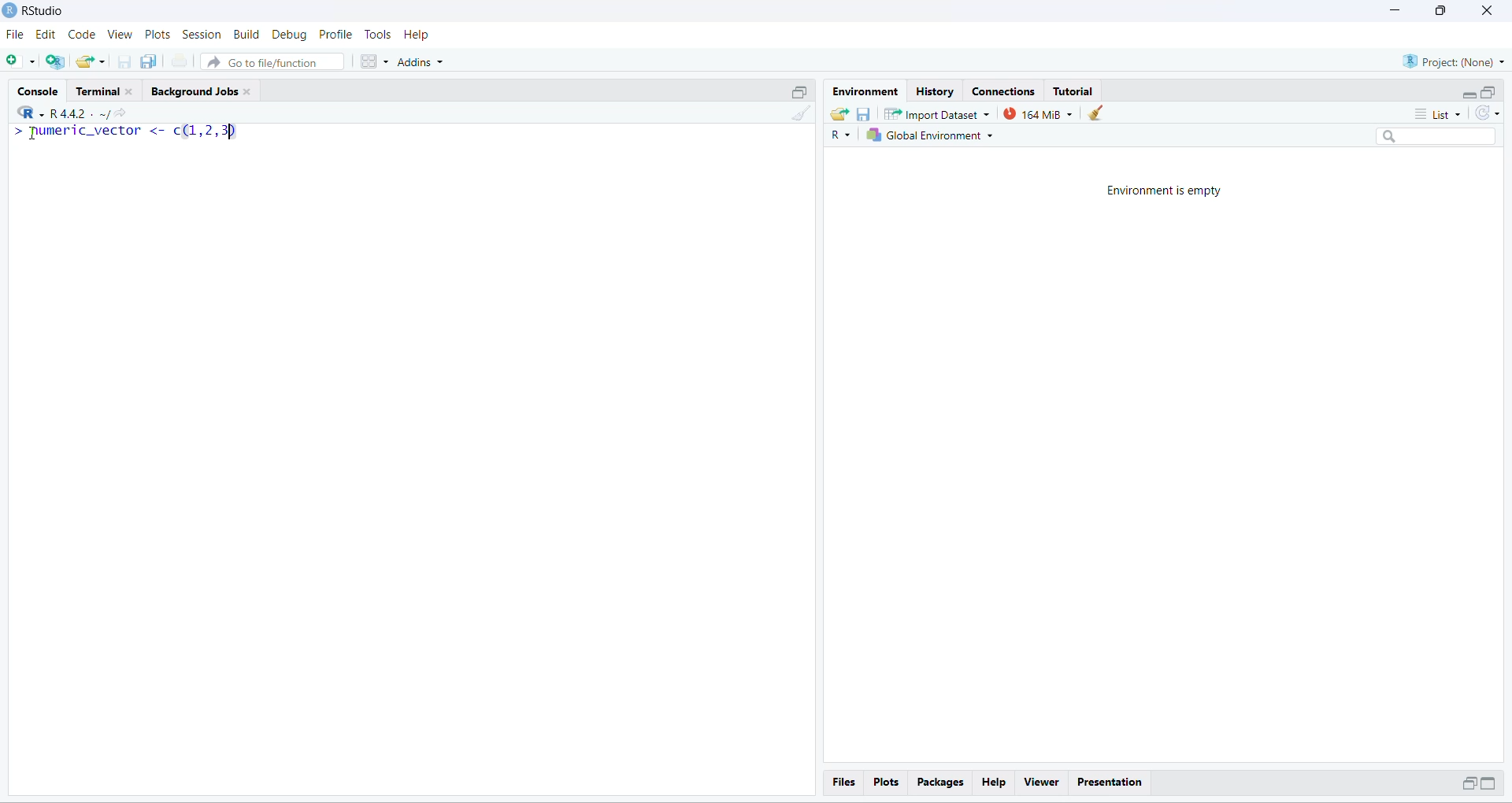 The width and height of the screenshot is (1512, 803). I want to click on Import Dataset, so click(936, 114).